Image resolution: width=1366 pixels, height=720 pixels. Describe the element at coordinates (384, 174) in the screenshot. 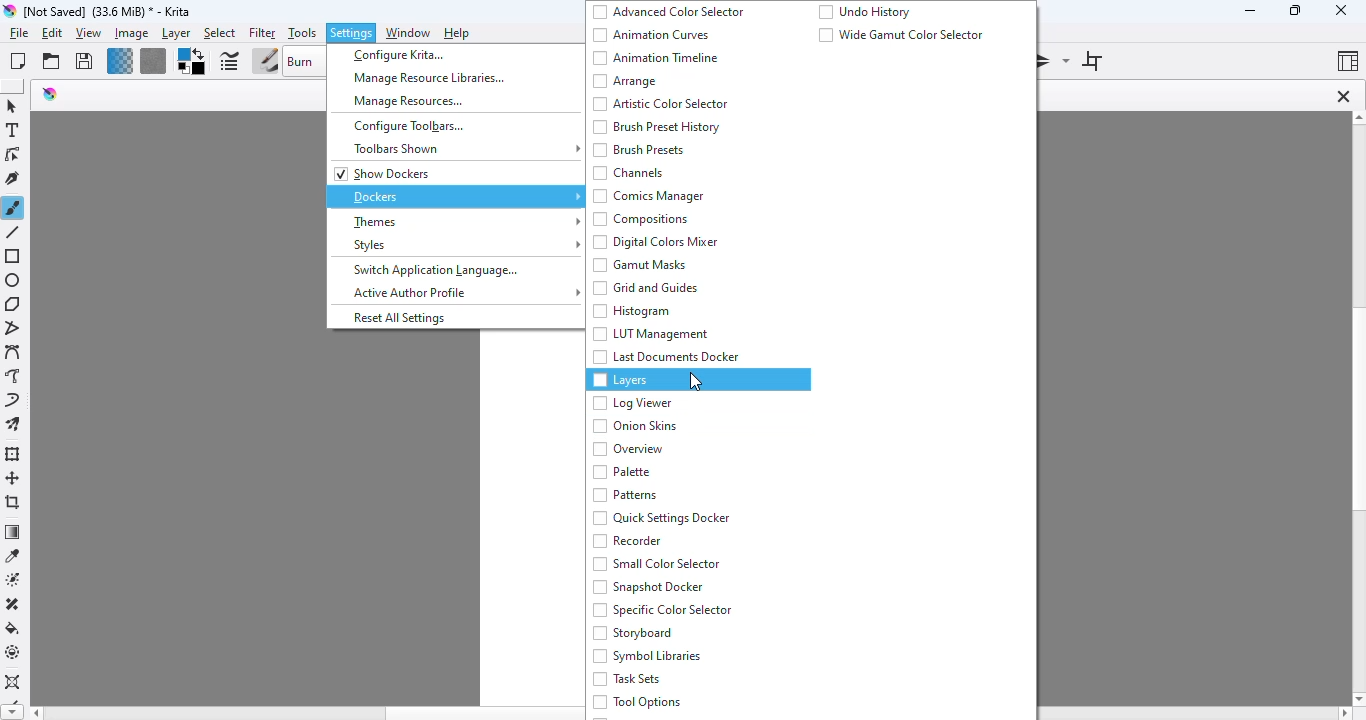

I see `show dockers` at that location.